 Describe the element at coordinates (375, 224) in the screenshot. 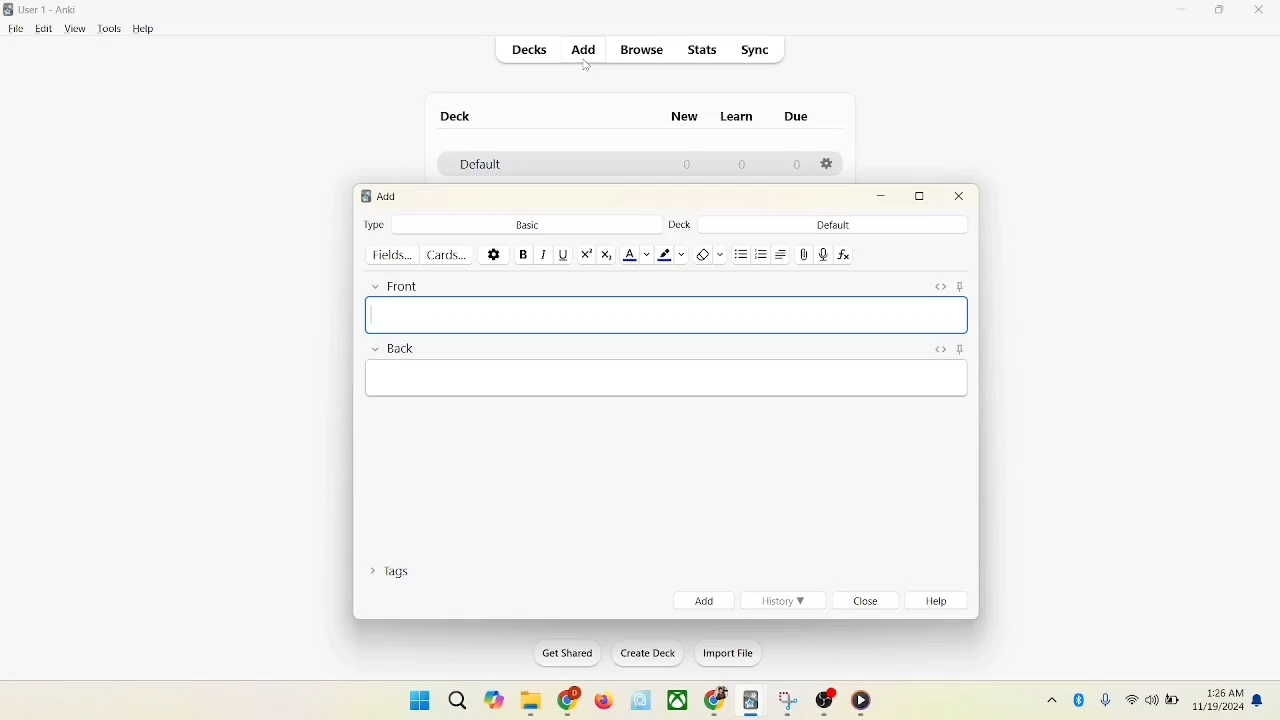

I see `type` at that location.